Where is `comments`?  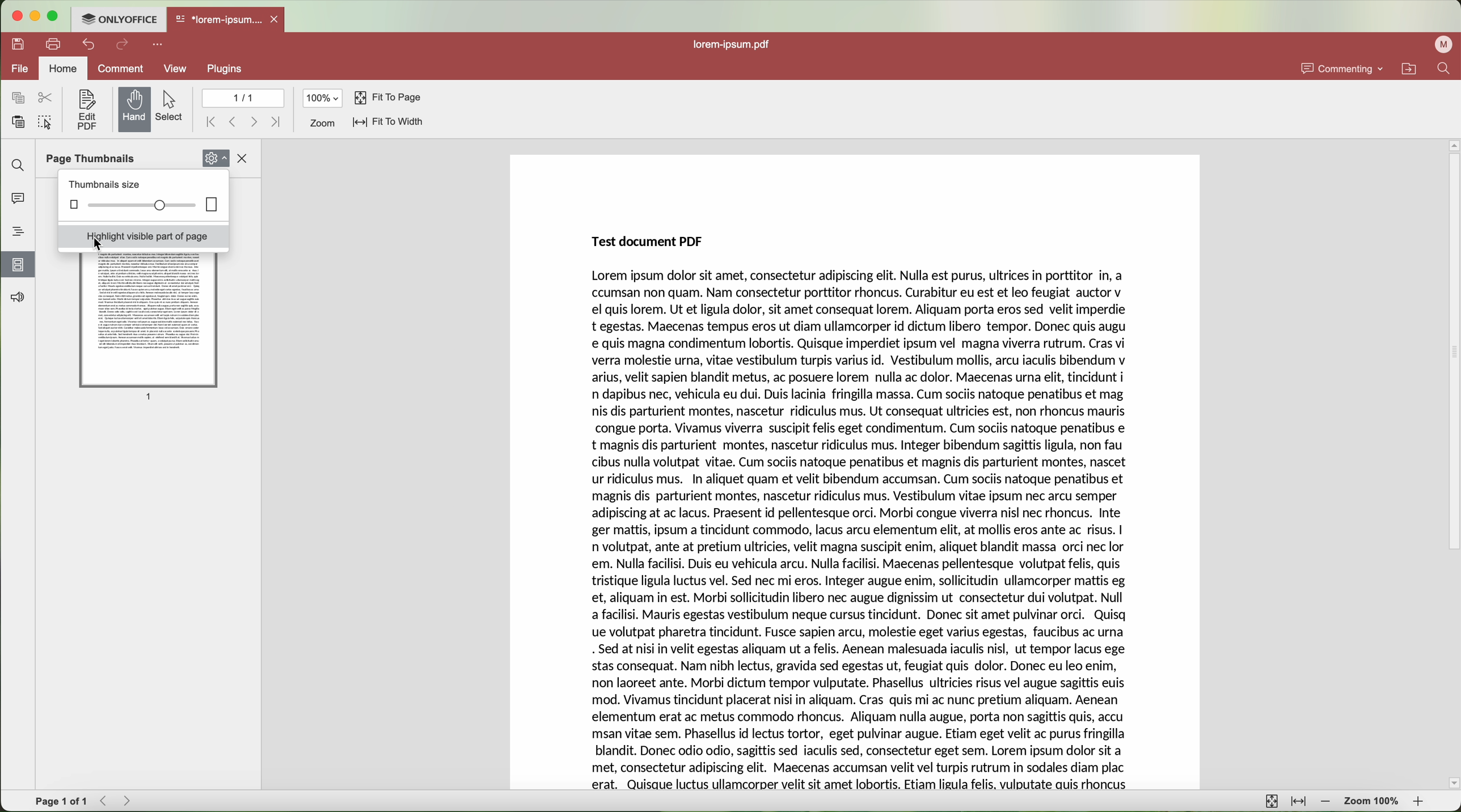
comments is located at coordinates (18, 201).